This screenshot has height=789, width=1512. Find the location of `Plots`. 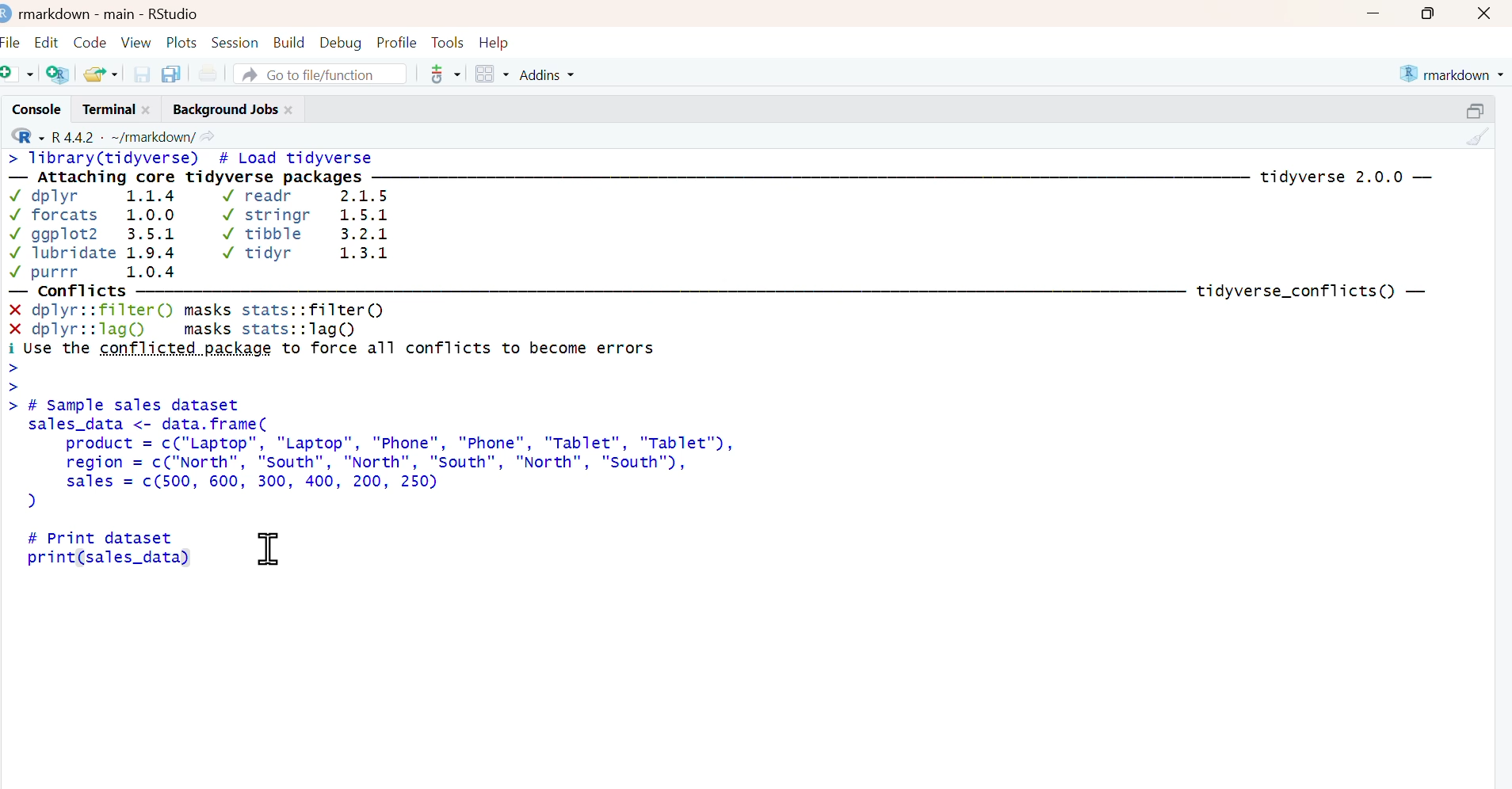

Plots is located at coordinates (182, 40).